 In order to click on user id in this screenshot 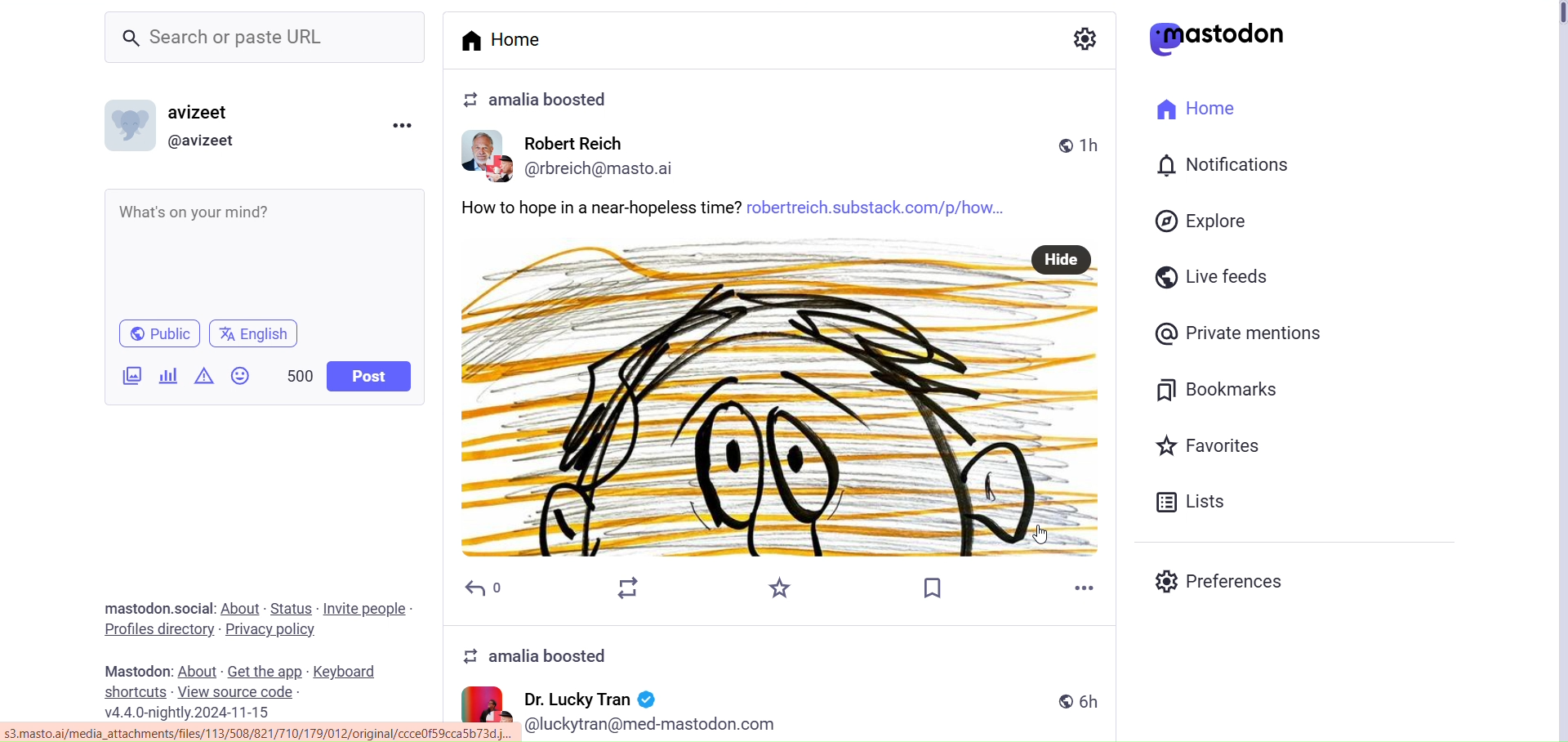, I will do `click(652, 723)`.